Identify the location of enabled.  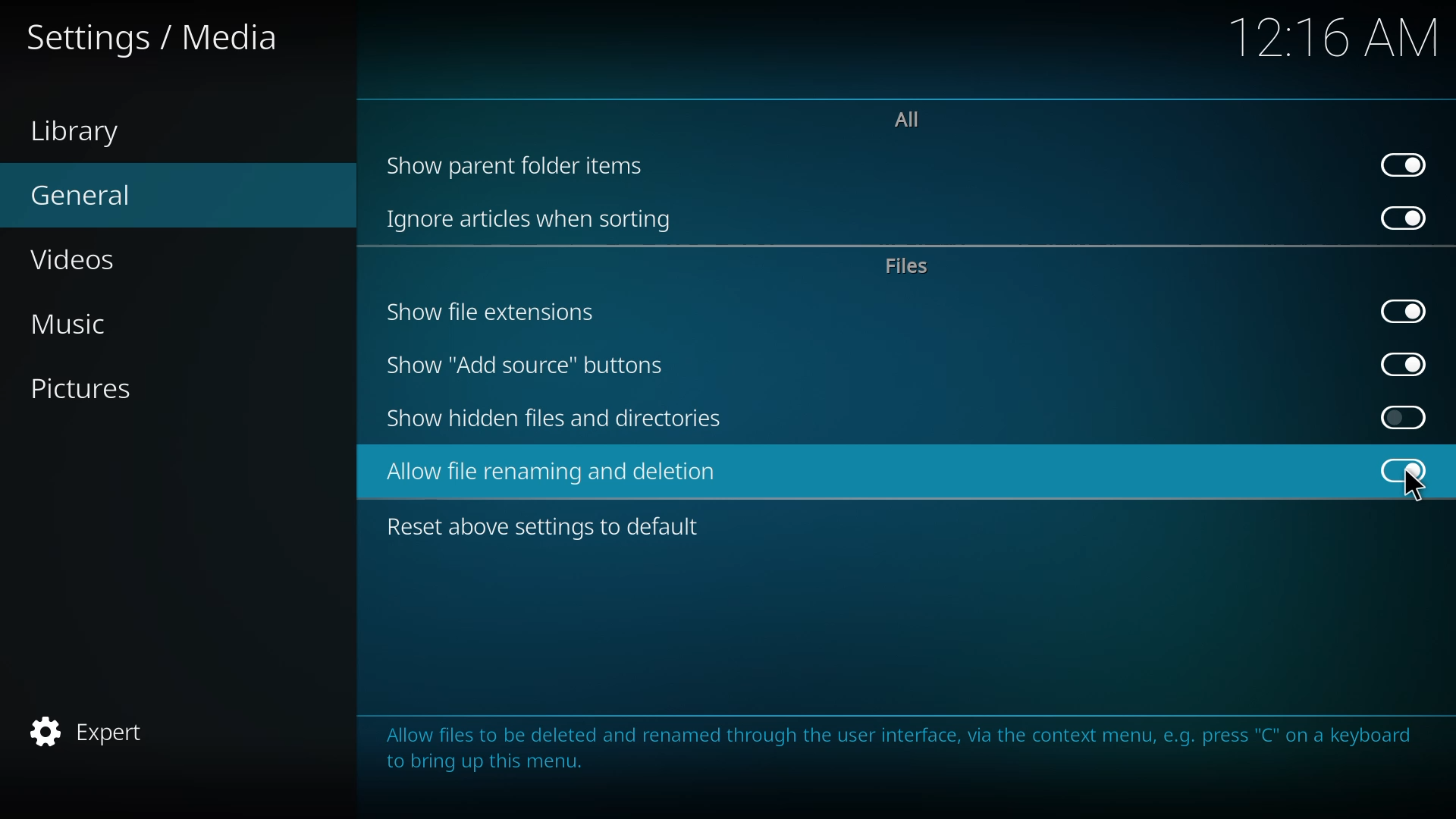
(1406, 162).